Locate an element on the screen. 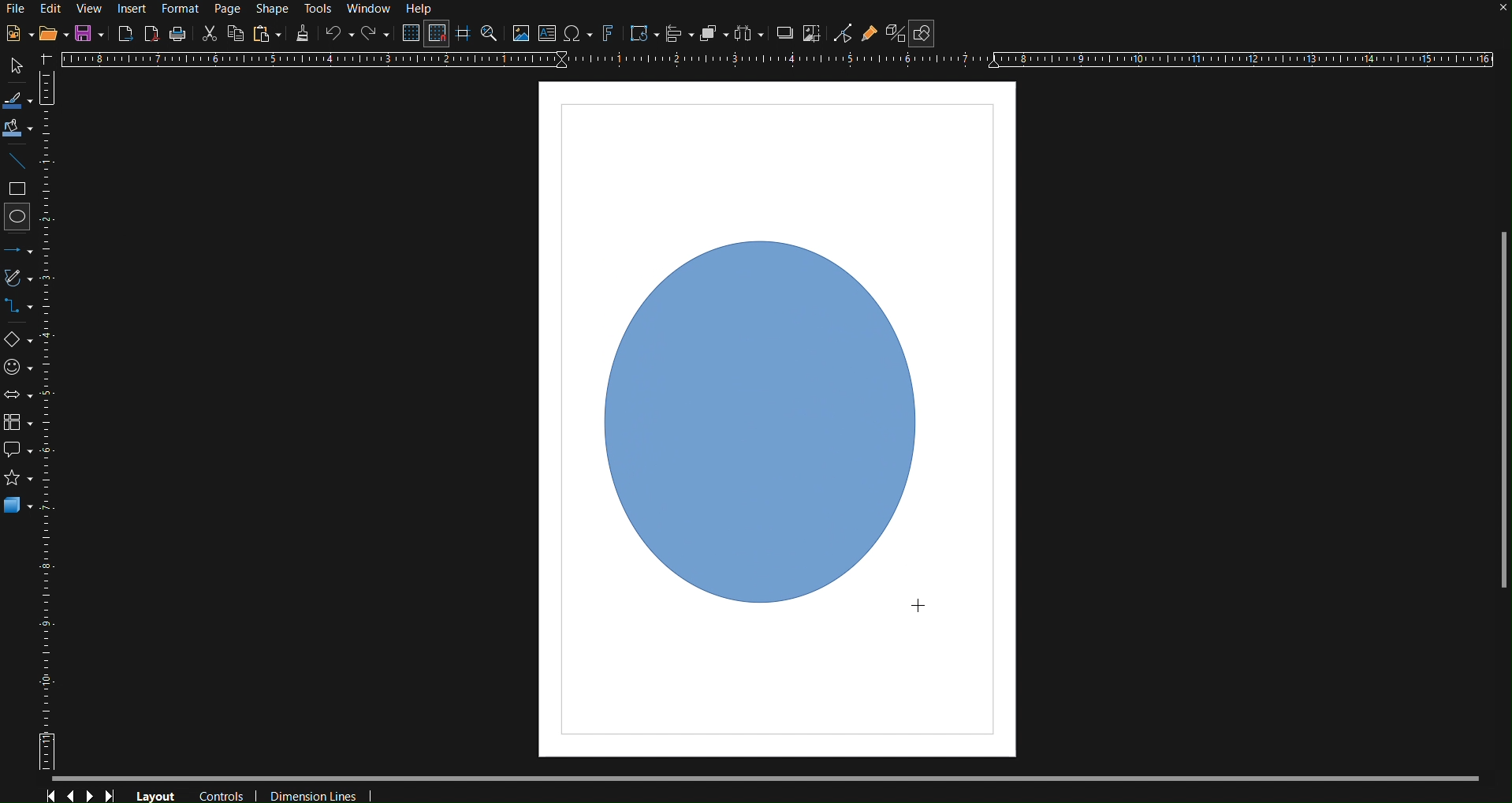 The height and width of the screenshot is (803, 1512). Insert Image is located at coordinates (520, 35).